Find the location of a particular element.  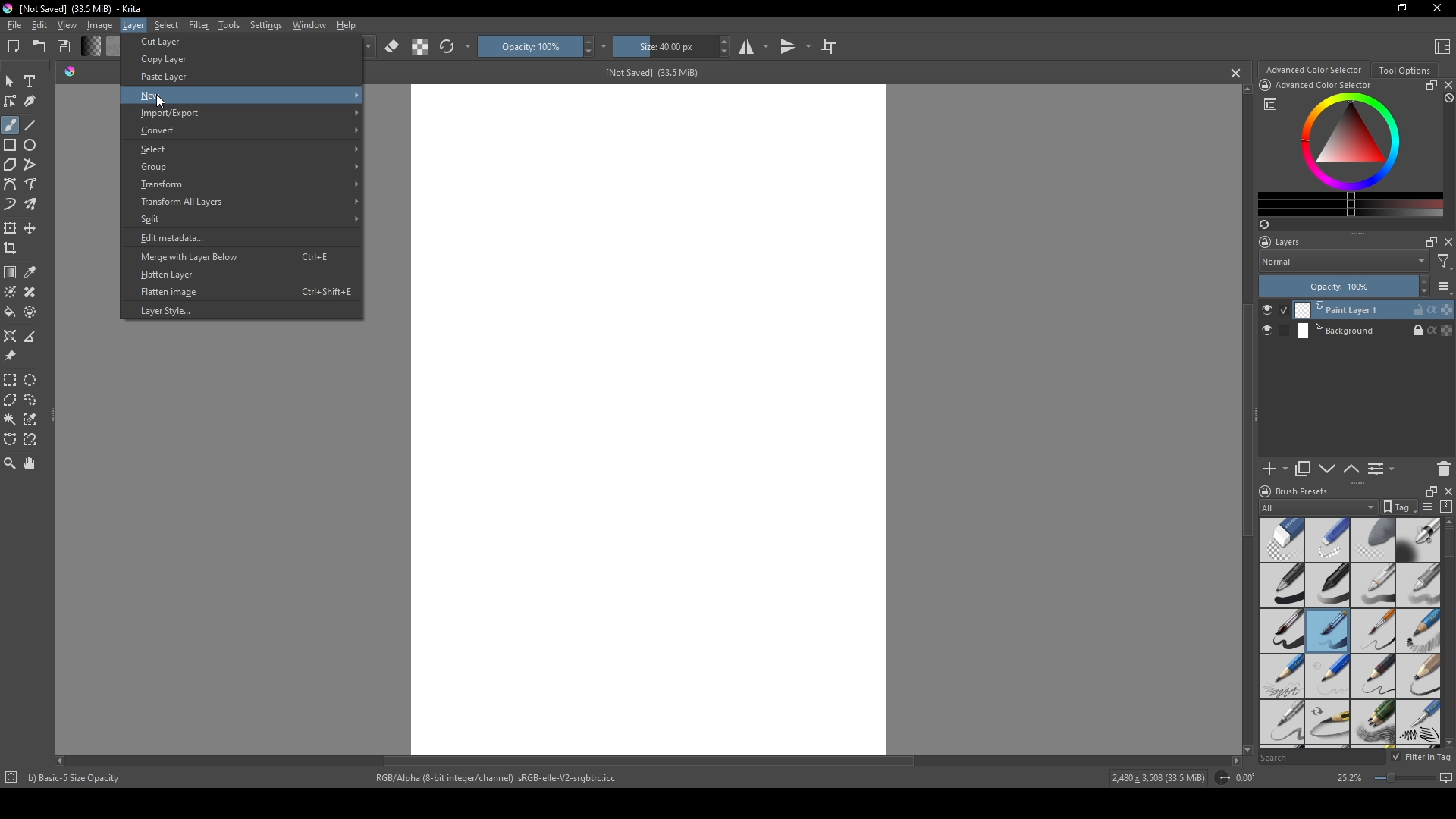

icon is located at coordinates (1264, 85).